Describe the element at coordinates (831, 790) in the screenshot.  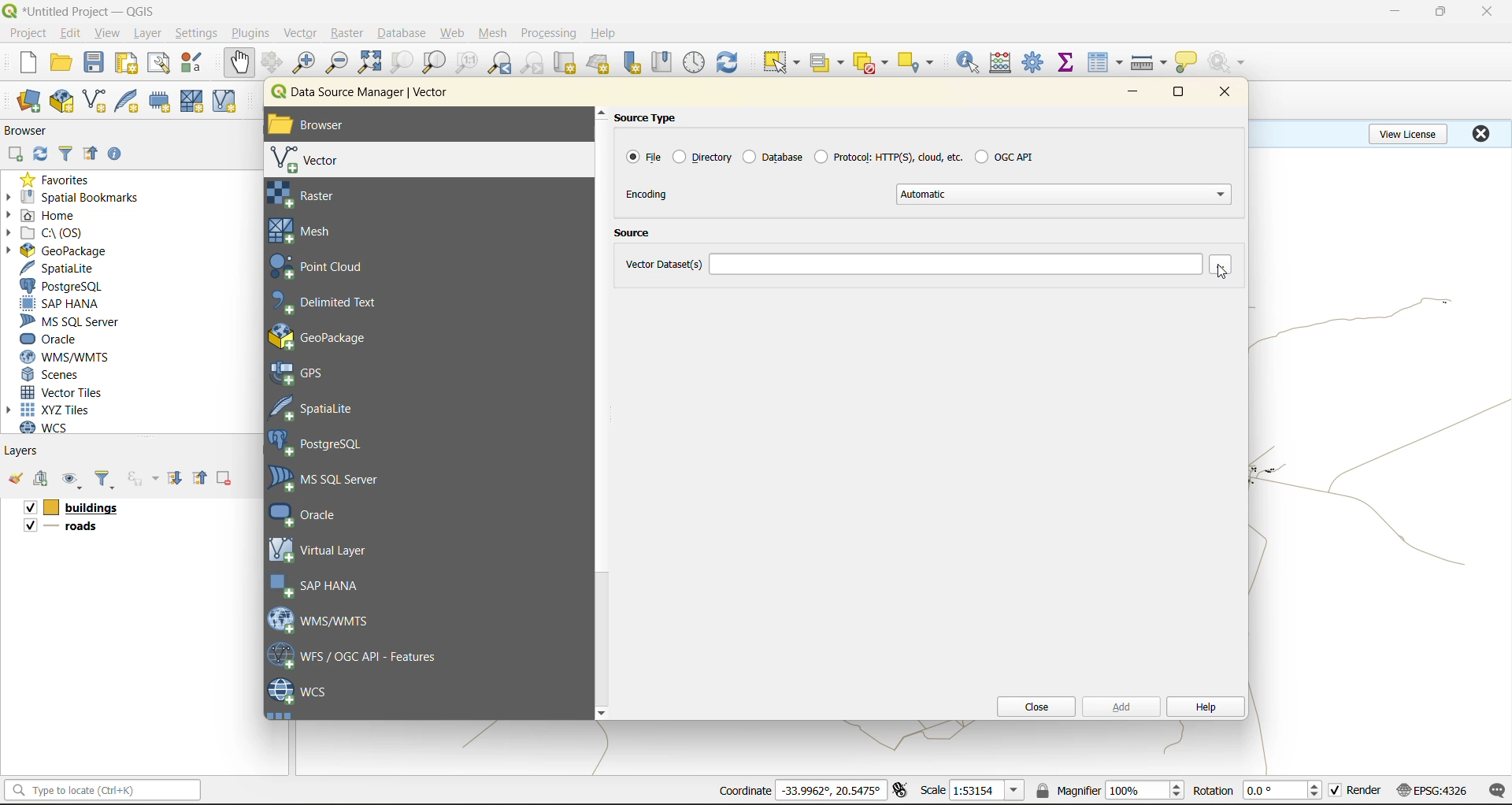
I see `coordinates` at that location.